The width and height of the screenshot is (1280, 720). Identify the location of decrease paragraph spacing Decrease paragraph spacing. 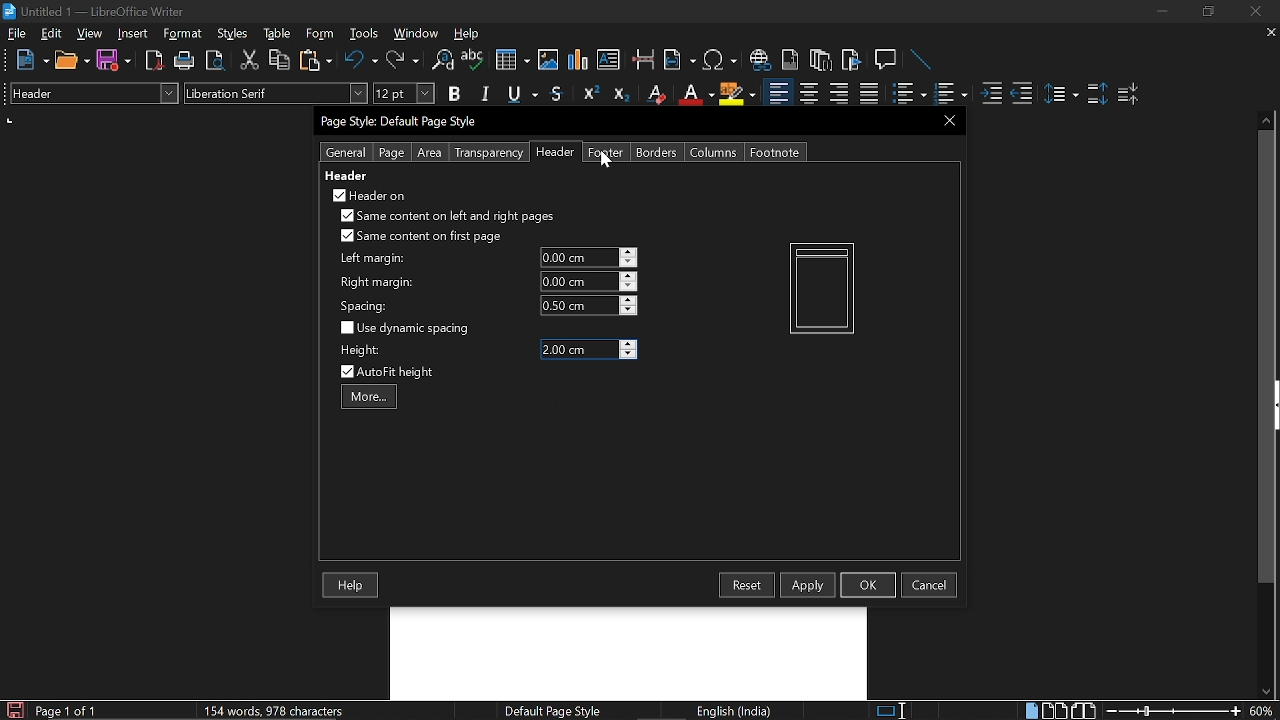
(1130, 93).